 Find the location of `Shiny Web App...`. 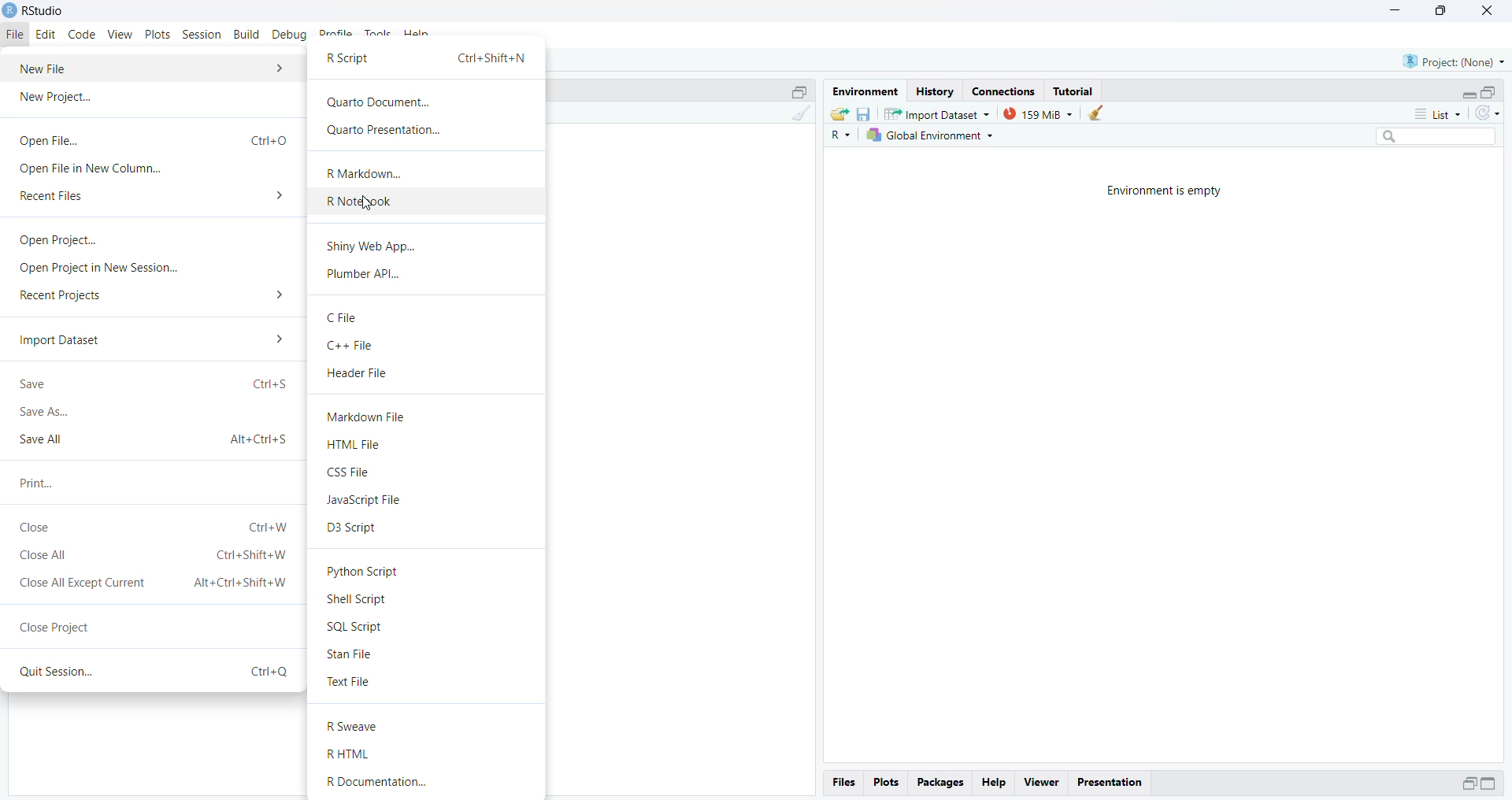

Shiny Web App... is located at coordinates (371, 246).